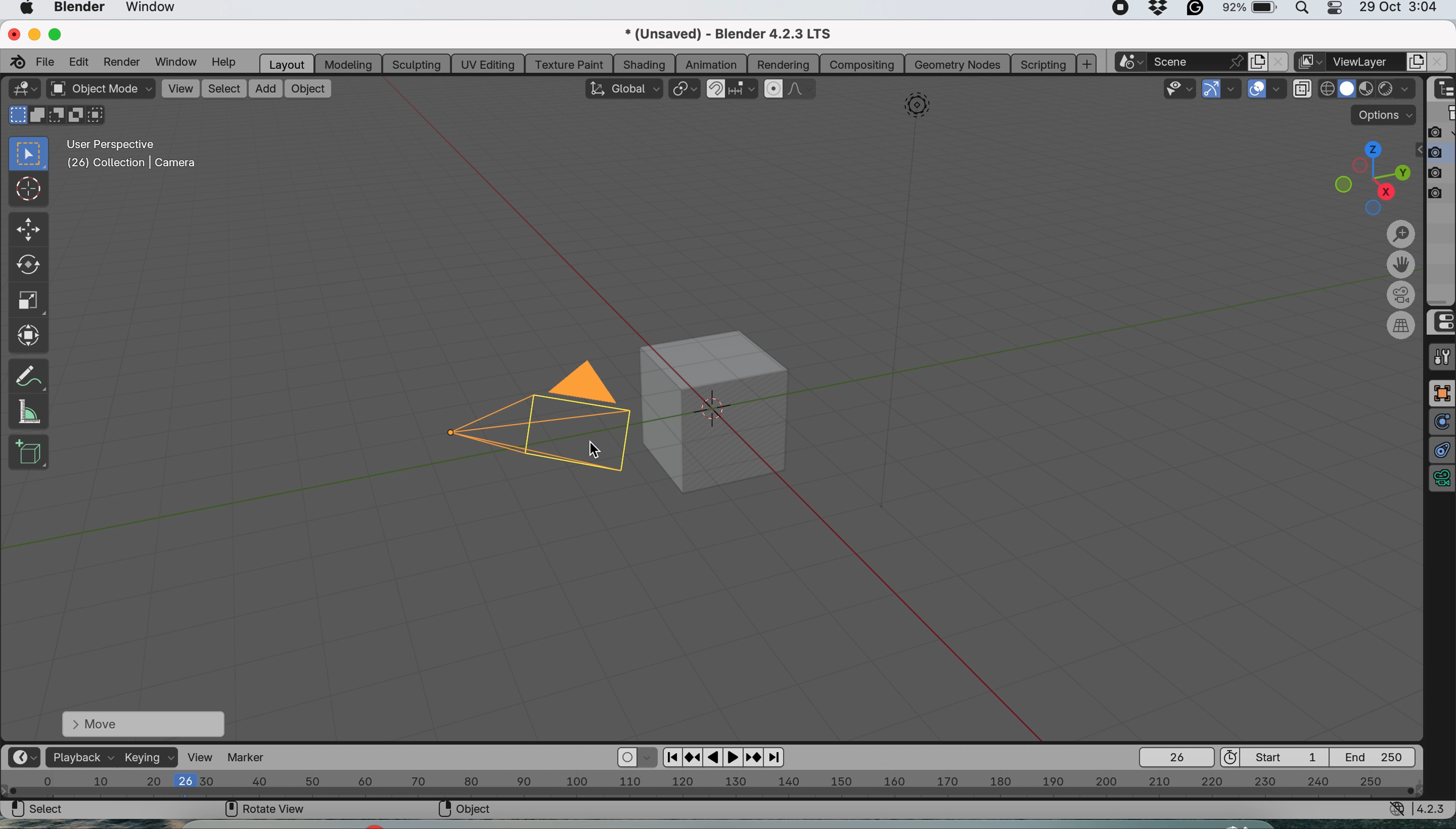 This screenshot has height=829, width=1456. Describe the element at coordinates (157, 10) in the screenshot. I see `window` at that location.